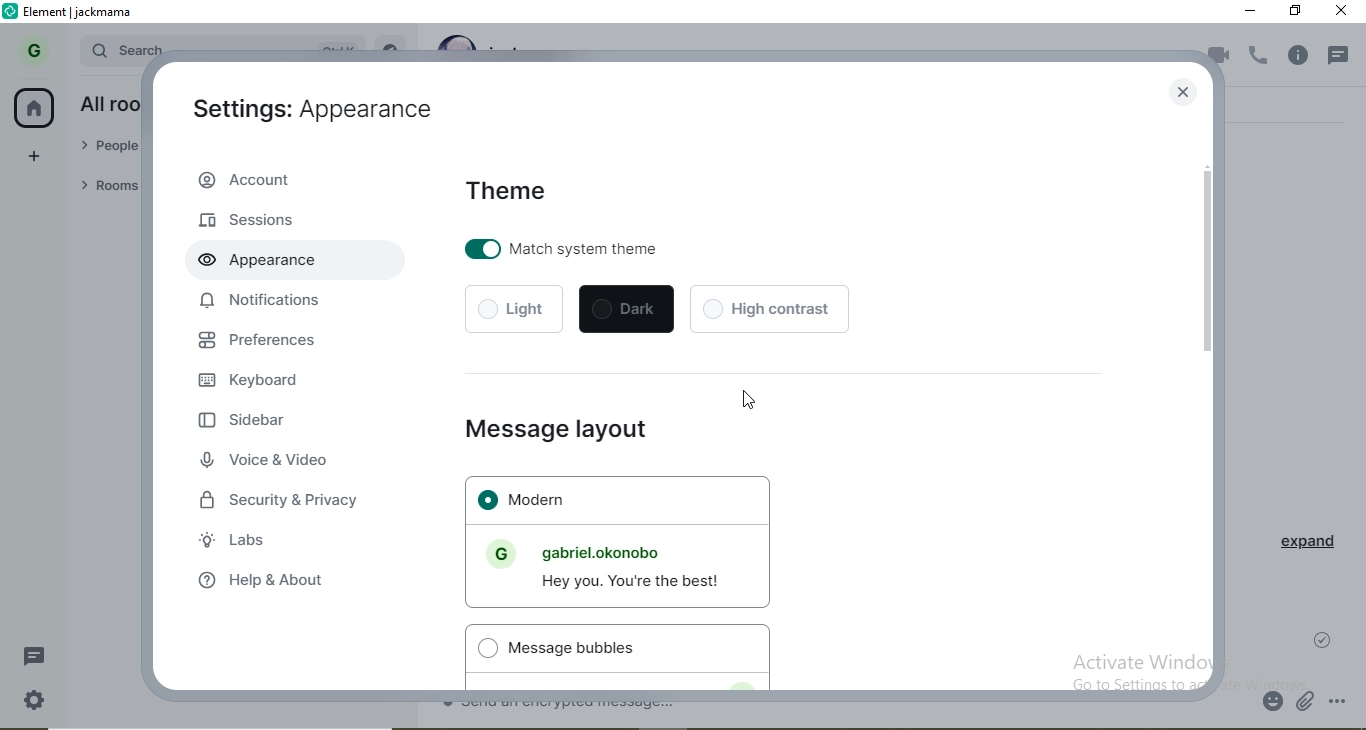 This screenshot has height=730, width=1366. I want to click on notification, so click(1342, 51).